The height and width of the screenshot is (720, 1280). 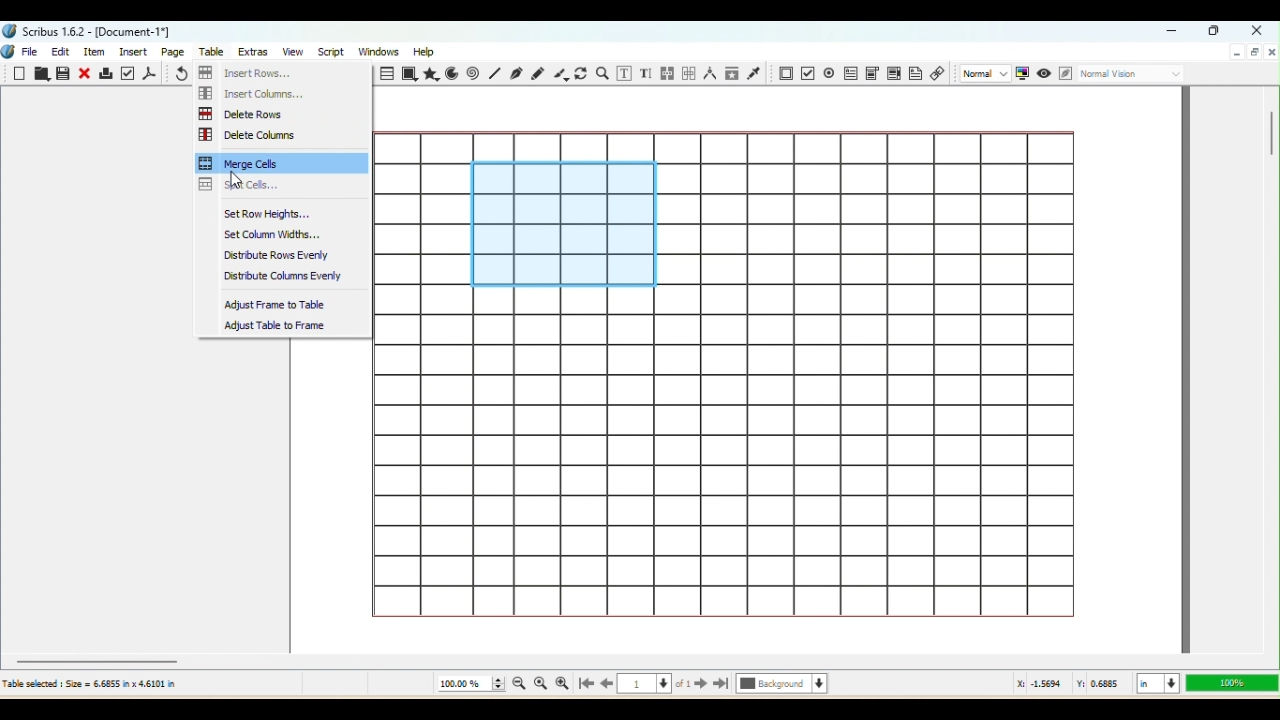 What do you see at coordinates (106, 75) in the screenshot?
I see `Print` at bounding box center [106, 75].